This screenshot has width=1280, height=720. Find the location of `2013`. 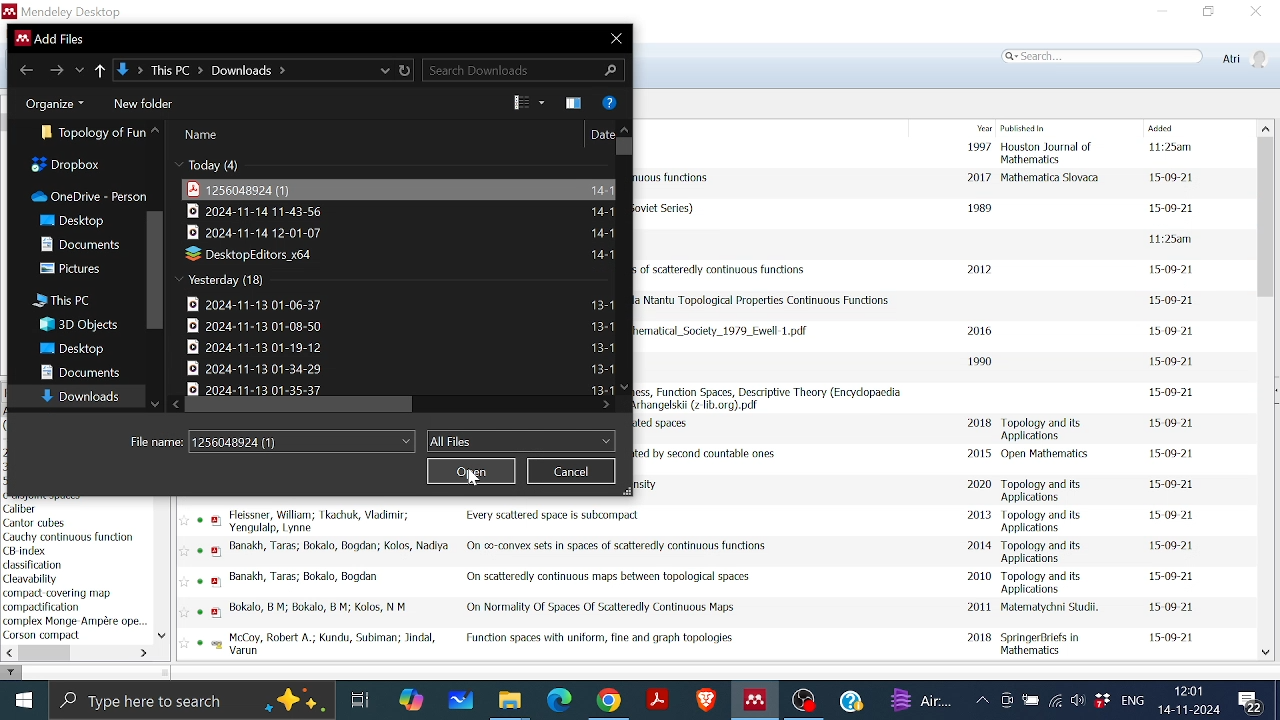

2013 is located at coordinates (980, 514).